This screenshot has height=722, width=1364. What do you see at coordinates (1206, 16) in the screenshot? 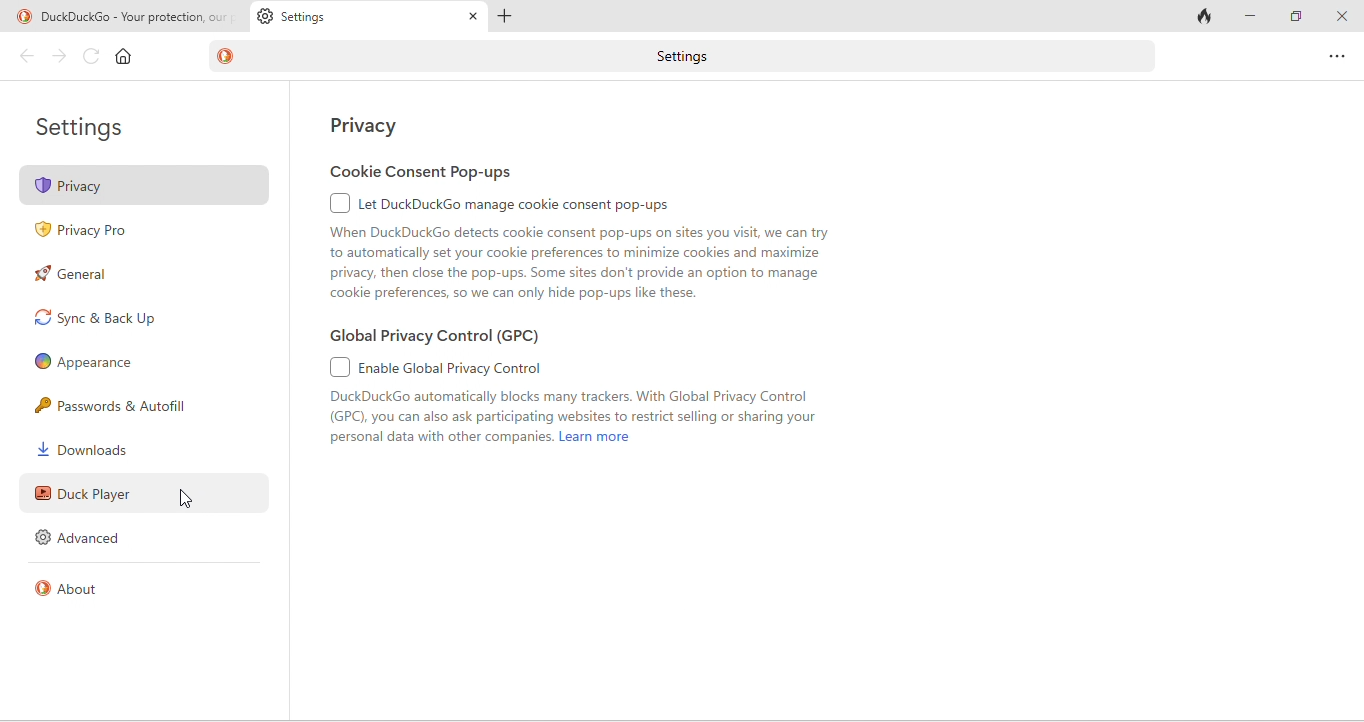
I see `clear cache and all data` at bounding box center [1206, 16].